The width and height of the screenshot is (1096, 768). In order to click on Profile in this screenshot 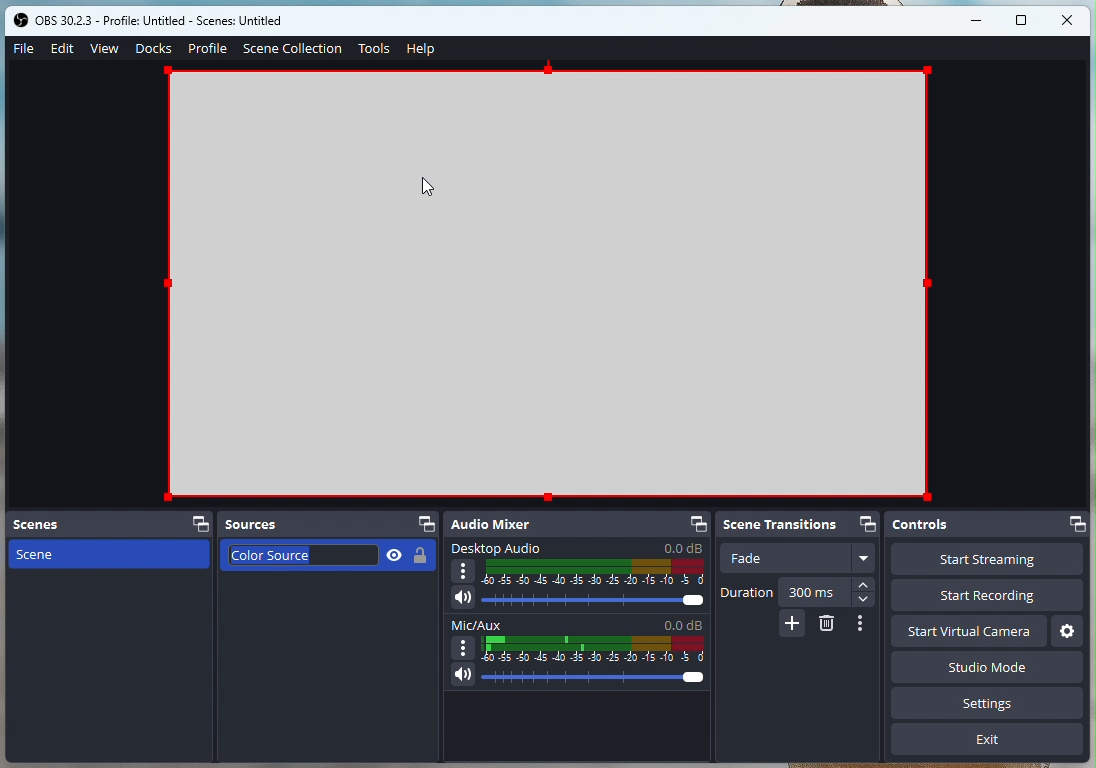, I will do `click(207, 48)`.